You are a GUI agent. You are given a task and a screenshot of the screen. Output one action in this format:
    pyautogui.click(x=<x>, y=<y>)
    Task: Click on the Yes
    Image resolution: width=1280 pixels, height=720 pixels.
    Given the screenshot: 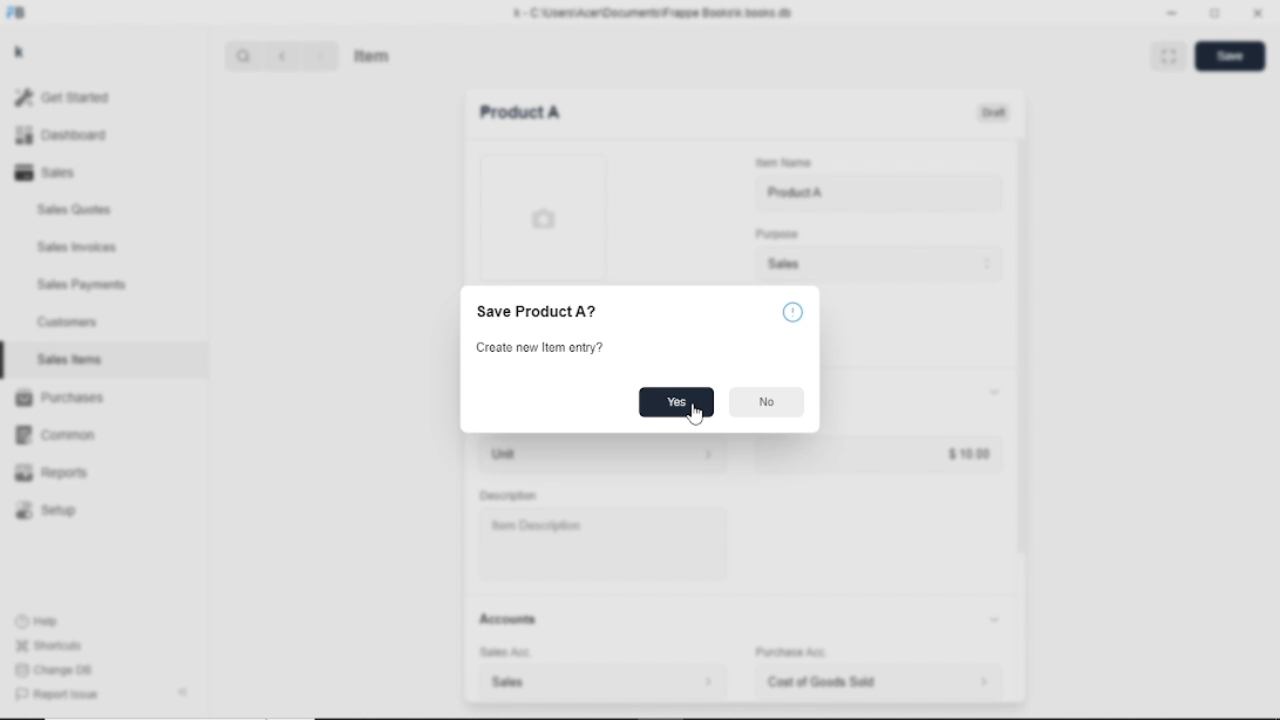 What is the action you would take?
    pyautogui.click(x=678, y=402)
    